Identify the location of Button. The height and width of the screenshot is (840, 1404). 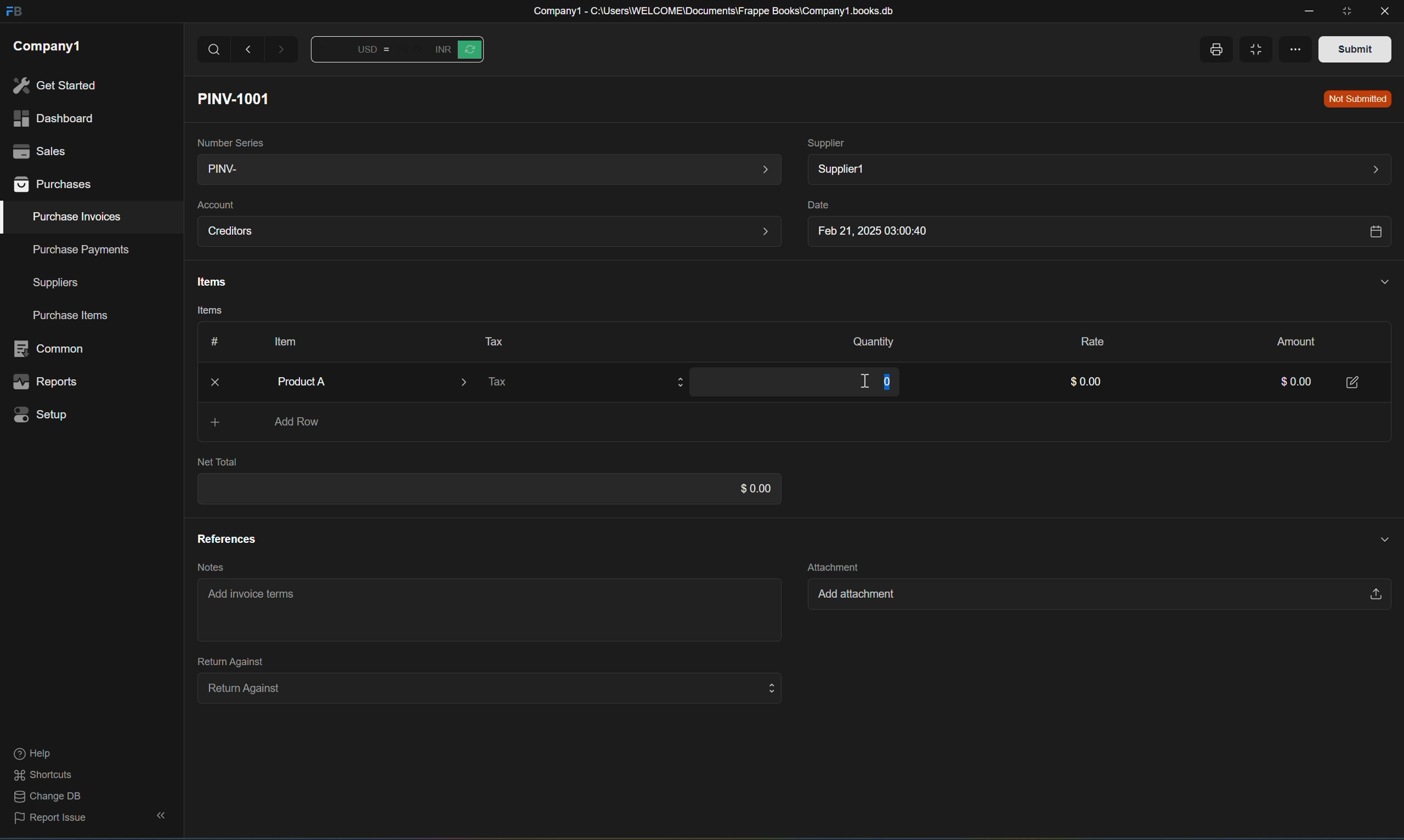
(456, 49).